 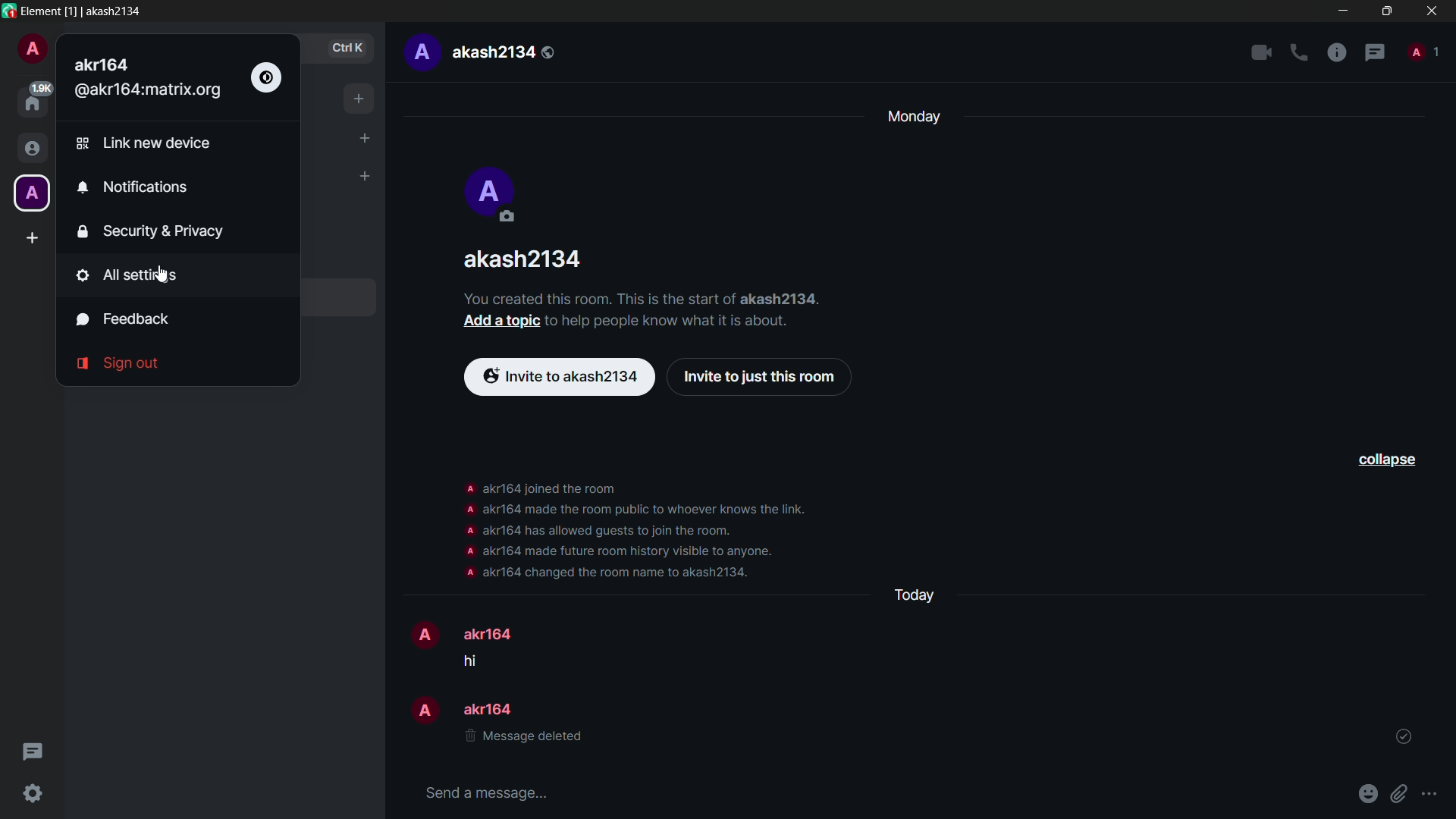 I want to click on feedback, so click(x=124, y=320).